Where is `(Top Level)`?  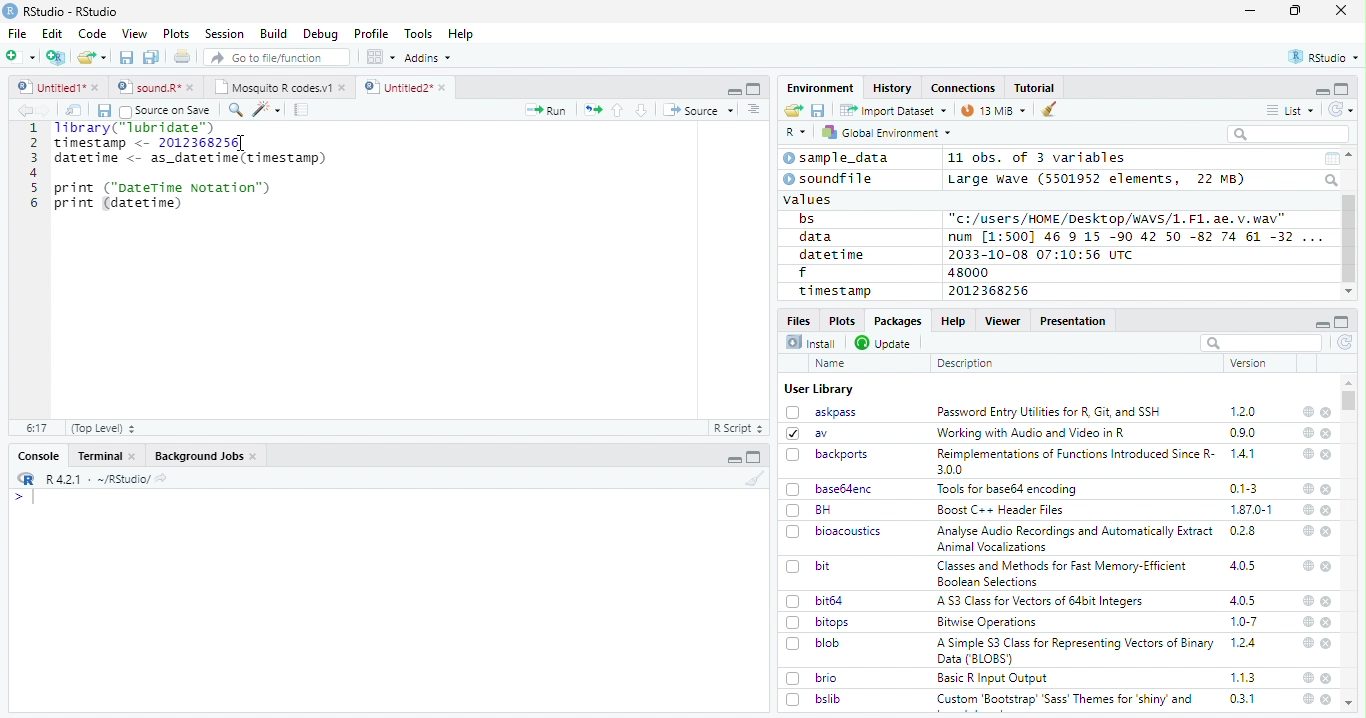 (Top Level) is located at coordinates (102, 428).